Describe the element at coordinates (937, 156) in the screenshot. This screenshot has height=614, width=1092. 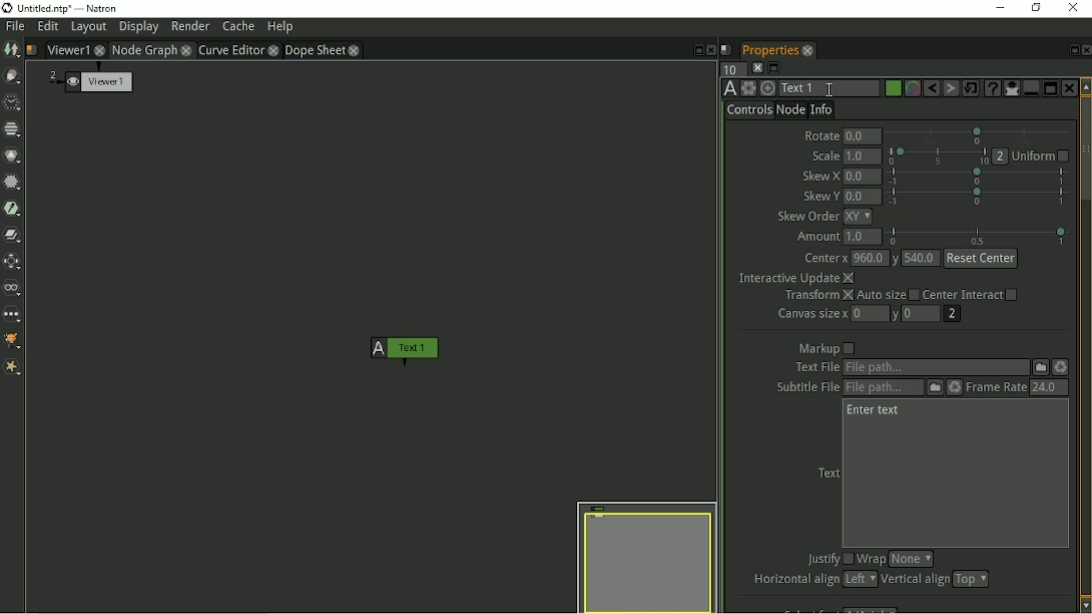
I see `selection bar` at that location.